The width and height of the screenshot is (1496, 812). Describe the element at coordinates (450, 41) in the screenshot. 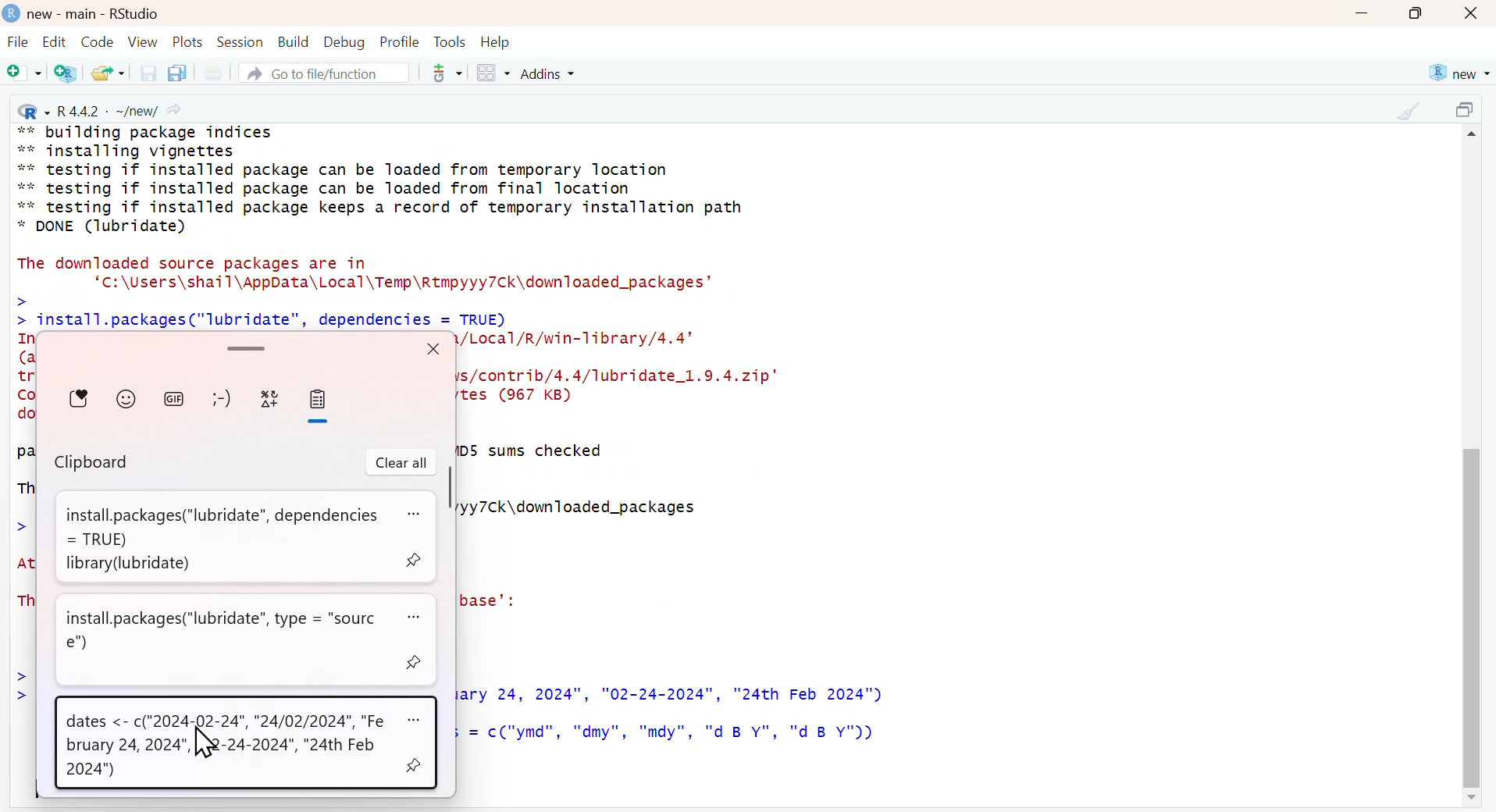

I see `Tools` at that location.